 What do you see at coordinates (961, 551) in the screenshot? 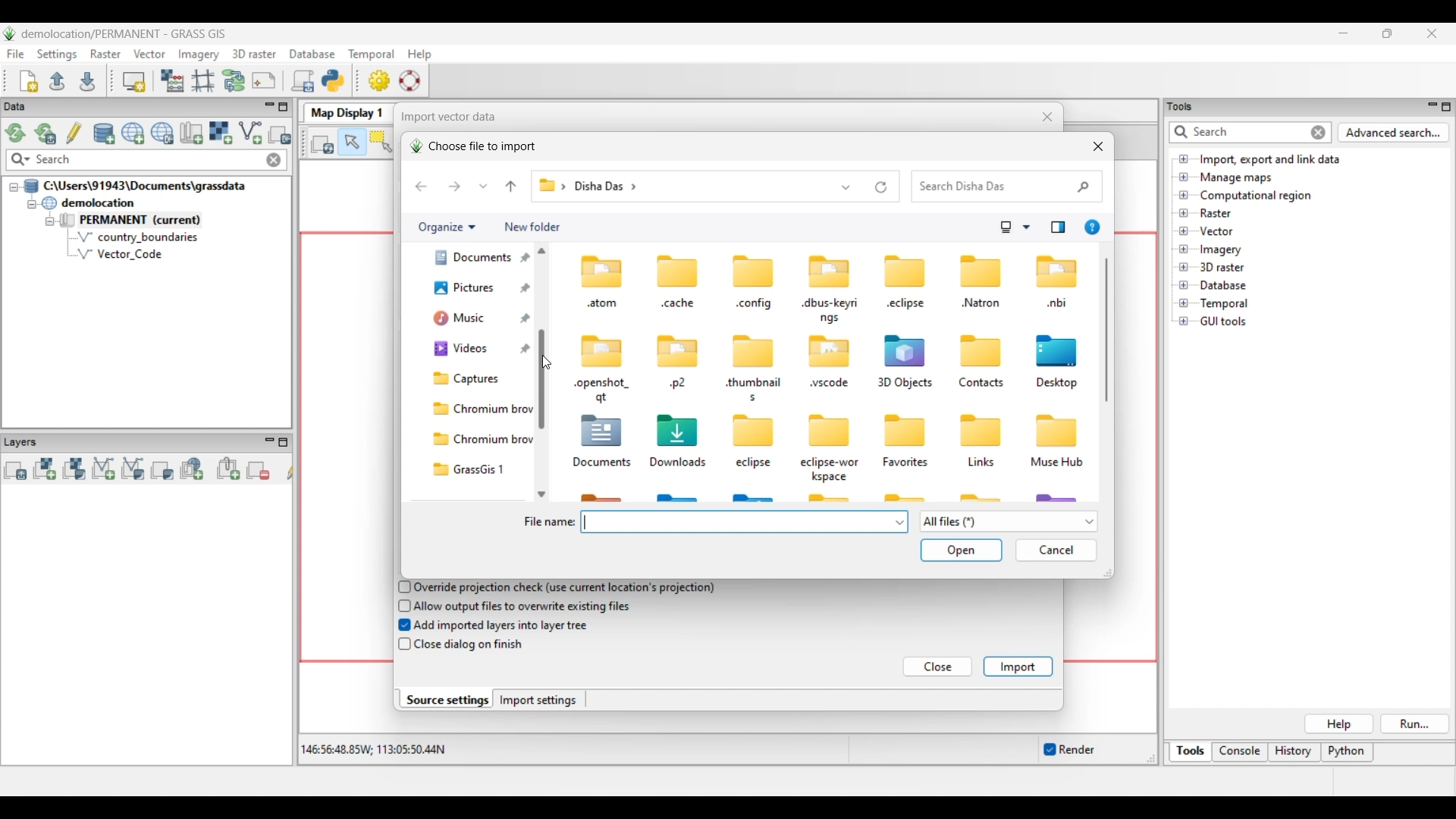
I see `Save and open inputs` at bounding box center [961, 551].